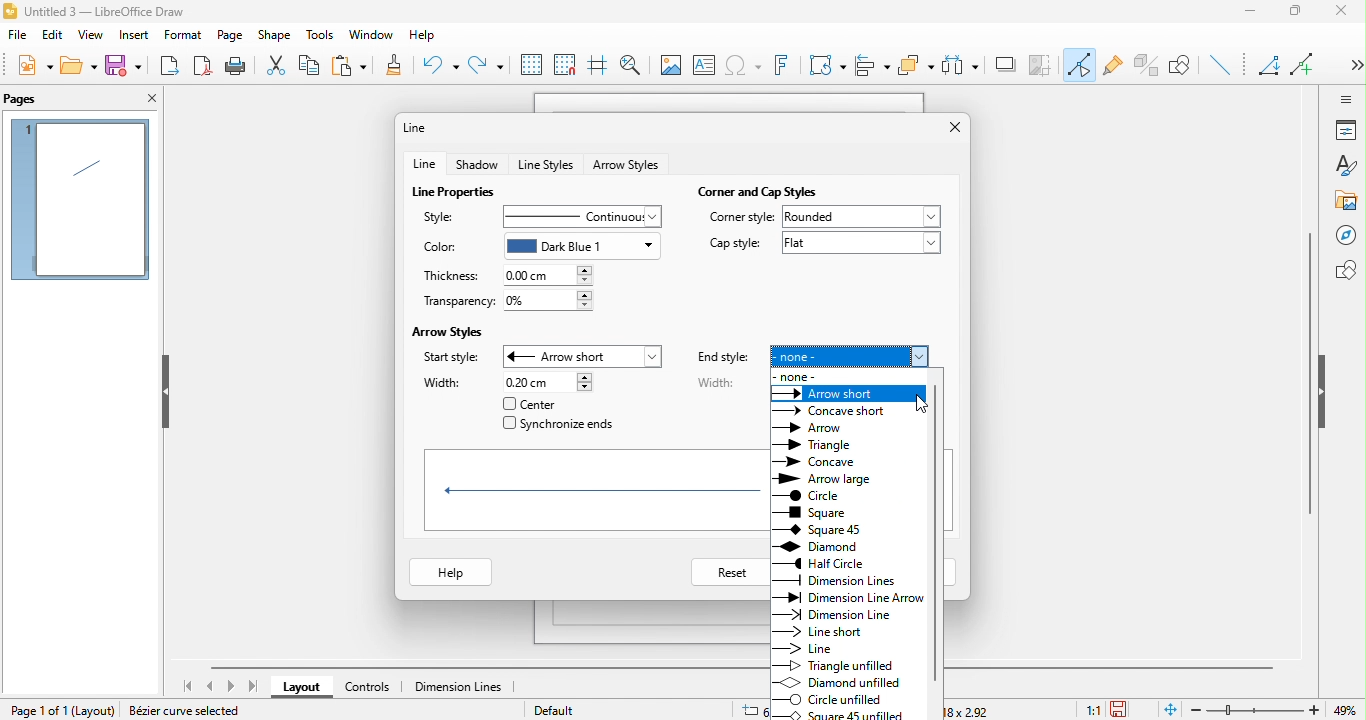 The image size is (1366, 720). Describe the element at coordinates (596, 67) in the screenshot. I see `helpline while moving` at that location.